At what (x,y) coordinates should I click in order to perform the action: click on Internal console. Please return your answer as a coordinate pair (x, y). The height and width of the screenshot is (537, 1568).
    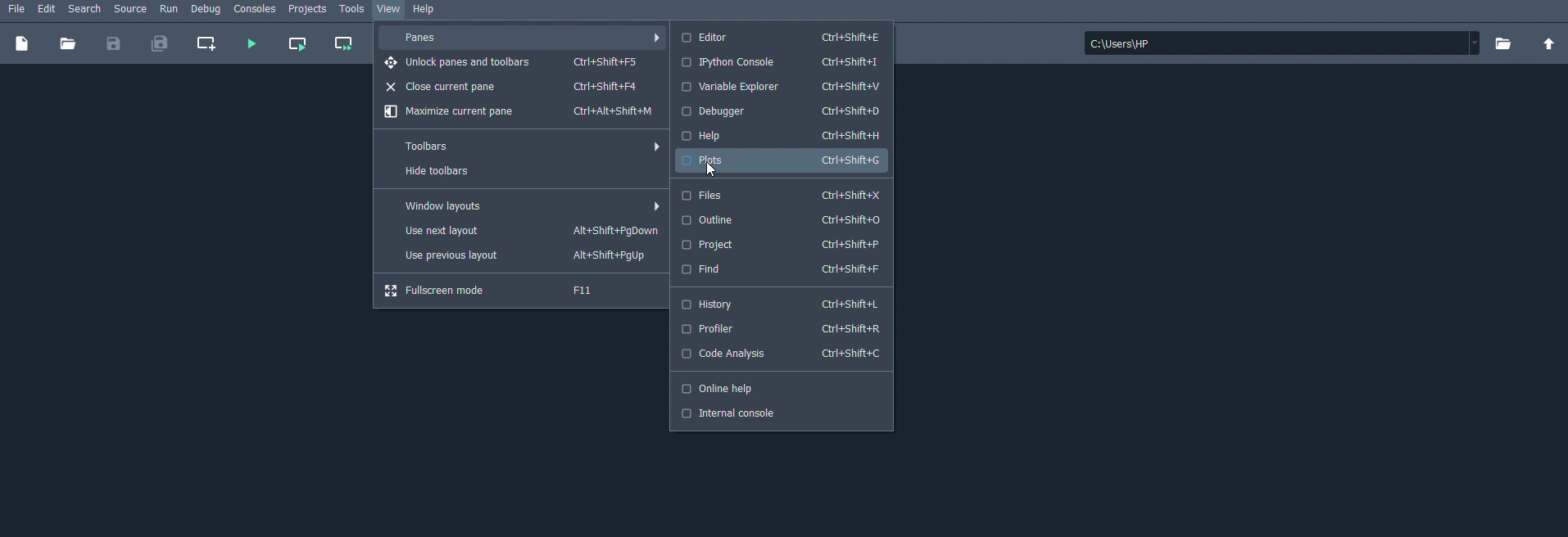
    Looking at the image, I should click on (736, 414).